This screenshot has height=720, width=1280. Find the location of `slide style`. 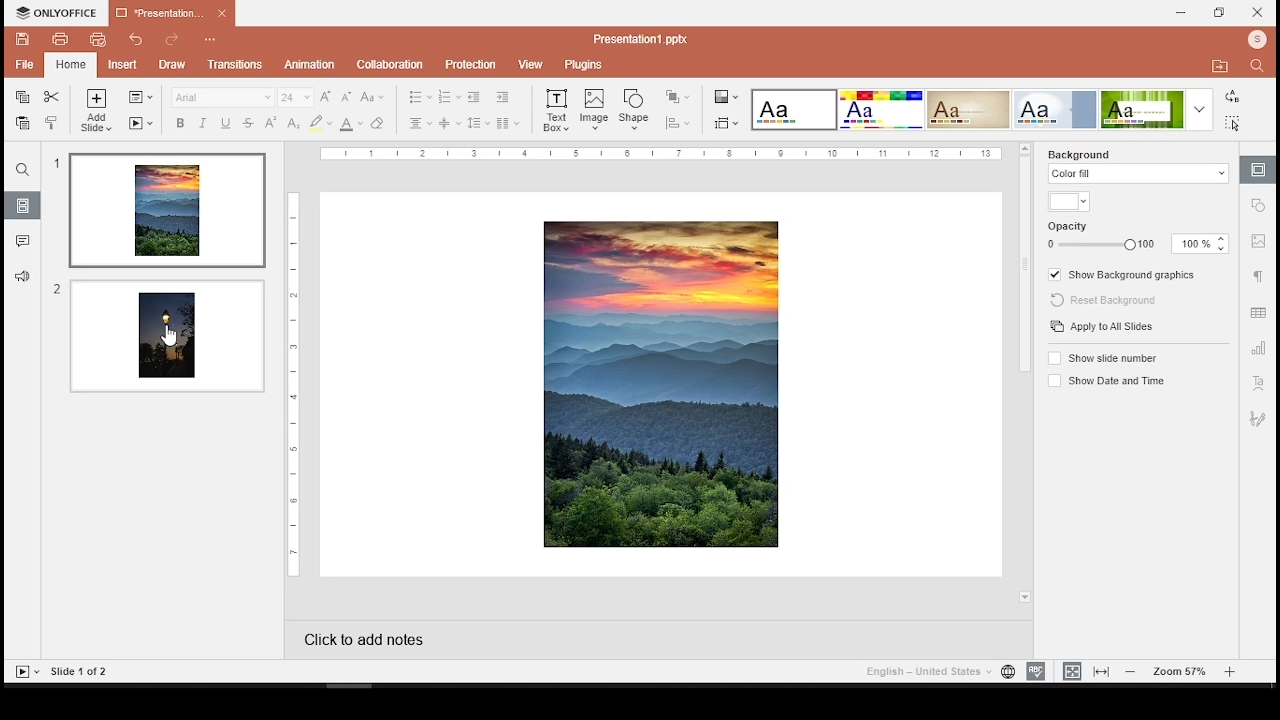

slide style is located at coordinates (1143, 109).